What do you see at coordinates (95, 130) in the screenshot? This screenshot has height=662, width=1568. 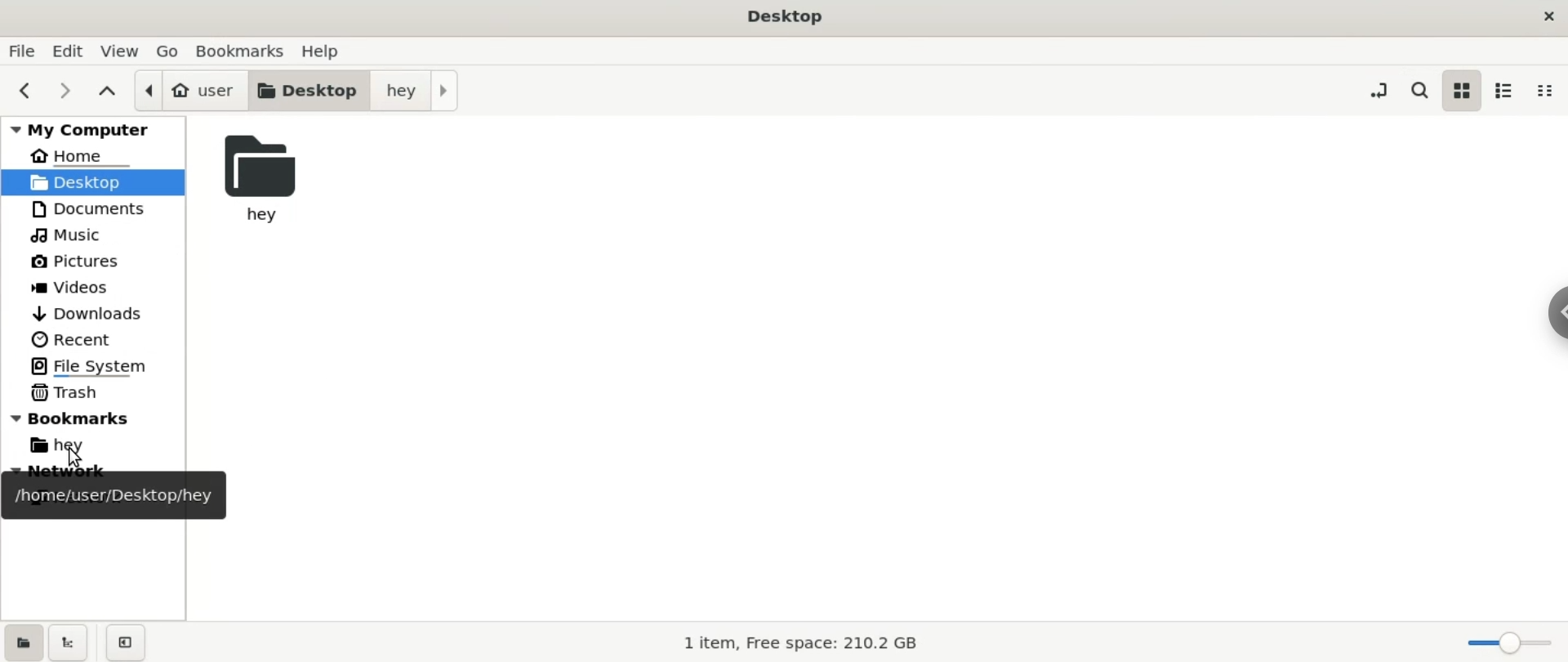 I see `my computer` at bounding box center [95, 130].